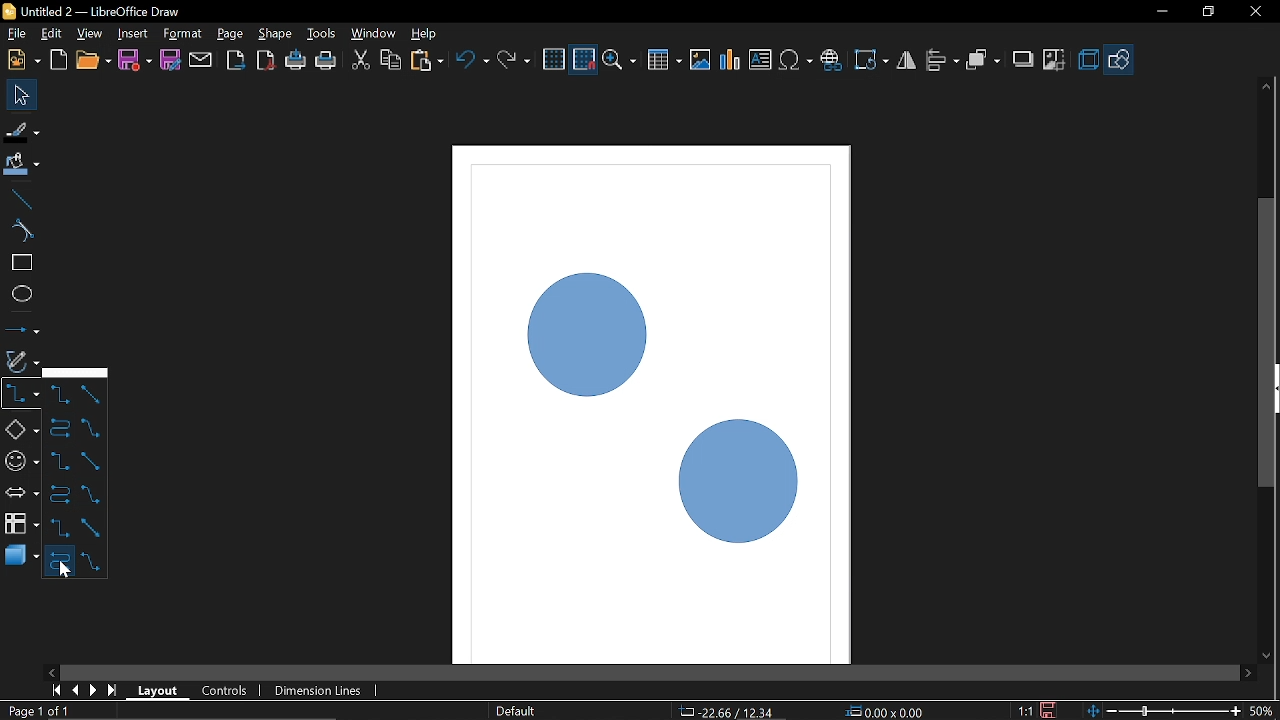  I want to click on Arrow types, so click(78, 479).